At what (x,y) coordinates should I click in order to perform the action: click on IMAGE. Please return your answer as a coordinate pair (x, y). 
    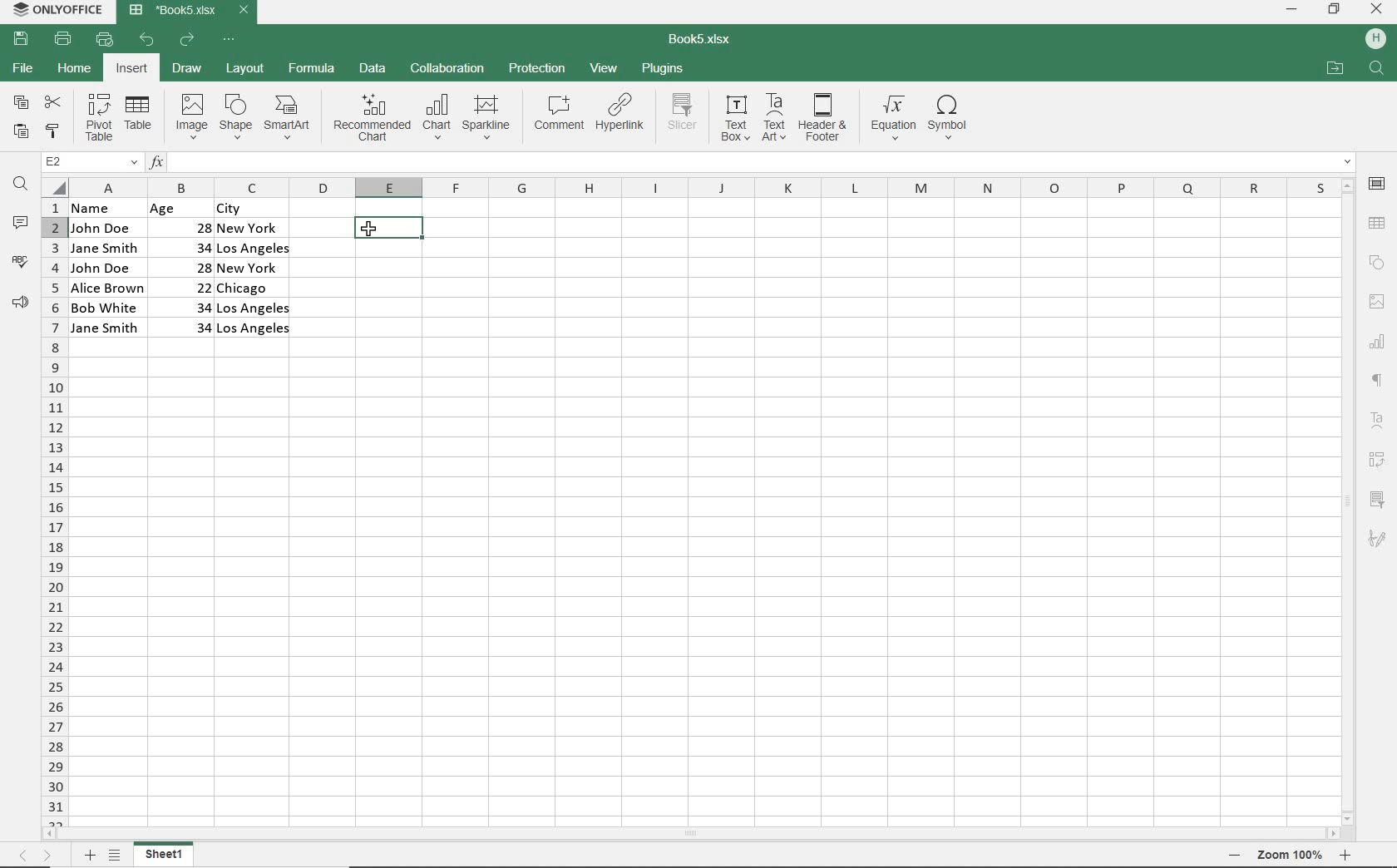
    Looking at the image, I should click on (1375, 301).